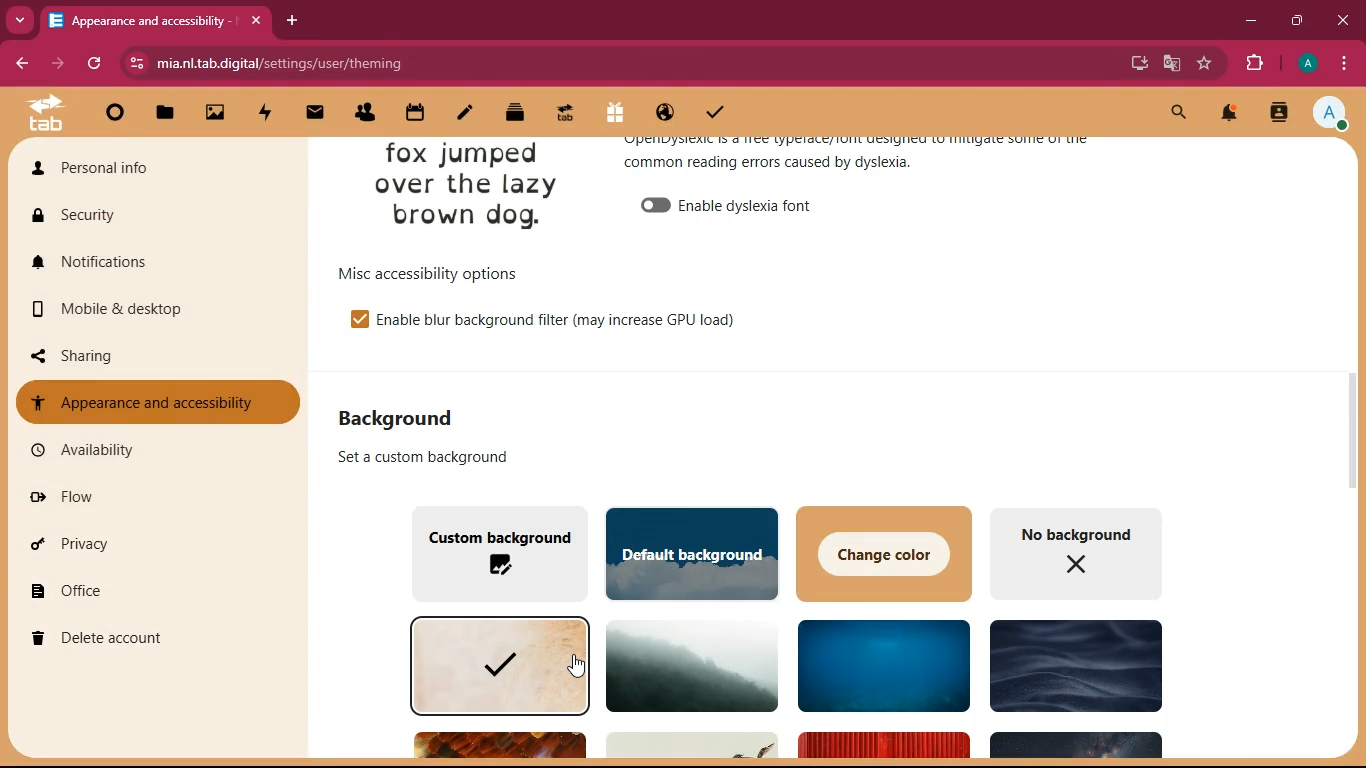 The height and width of the screenshot is (768, 1366). What do you see at coordinates (17, 65) in the screenshot?
I see `back` at bounding box center [17, 65].